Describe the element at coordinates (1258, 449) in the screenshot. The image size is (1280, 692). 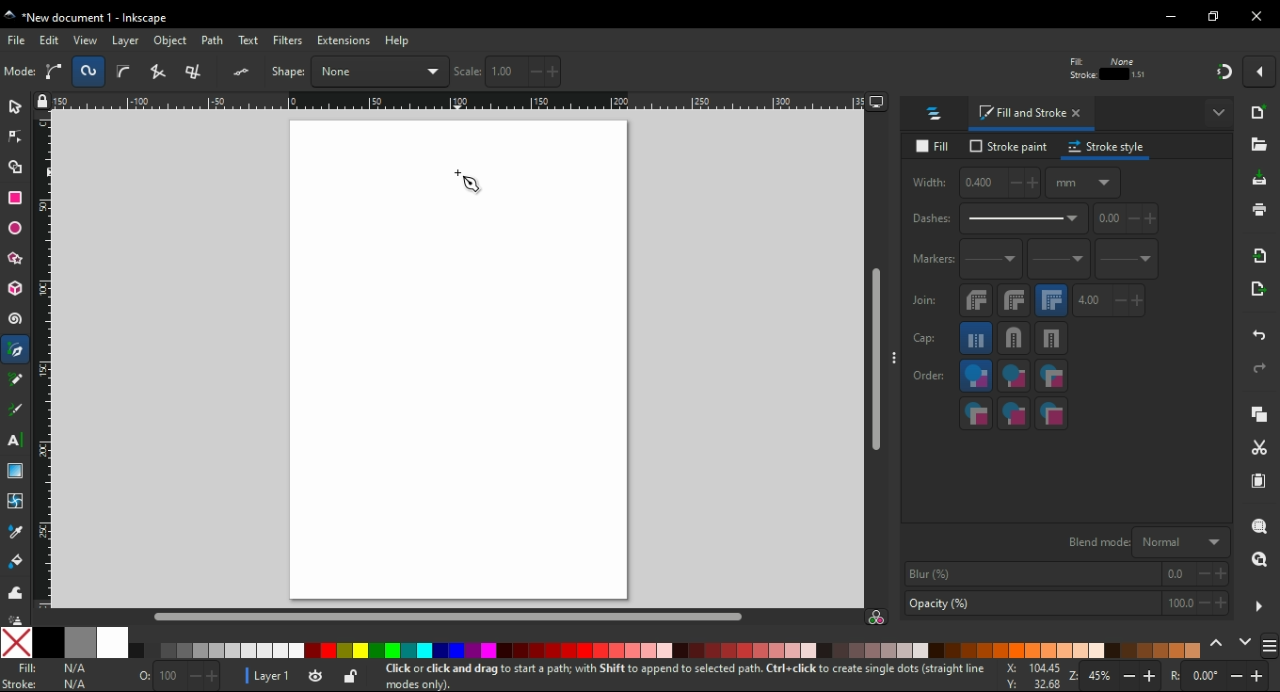
I see `cut` at that location.